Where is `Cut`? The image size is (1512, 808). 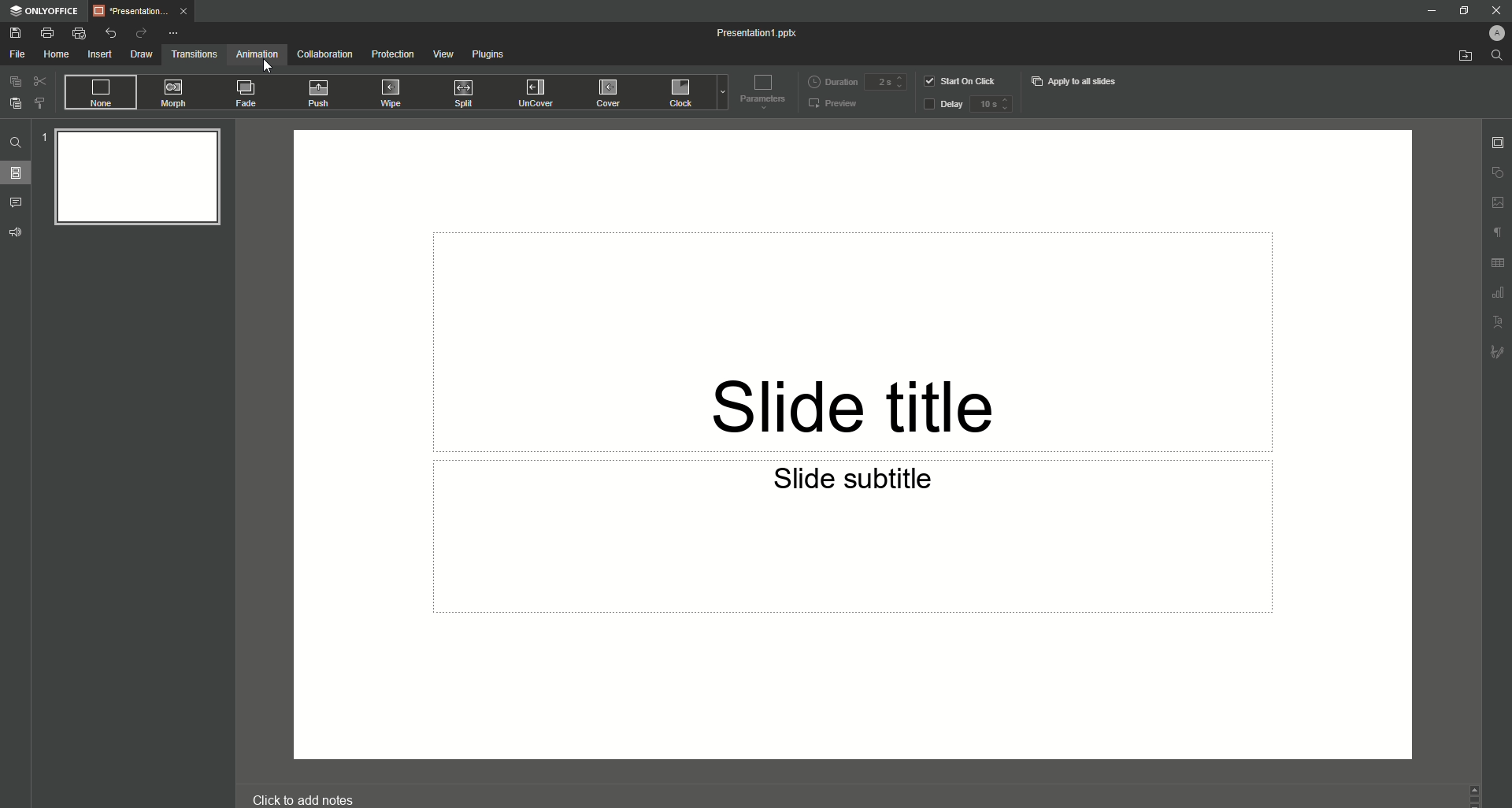 Cut is located at coordinates (37, 82).